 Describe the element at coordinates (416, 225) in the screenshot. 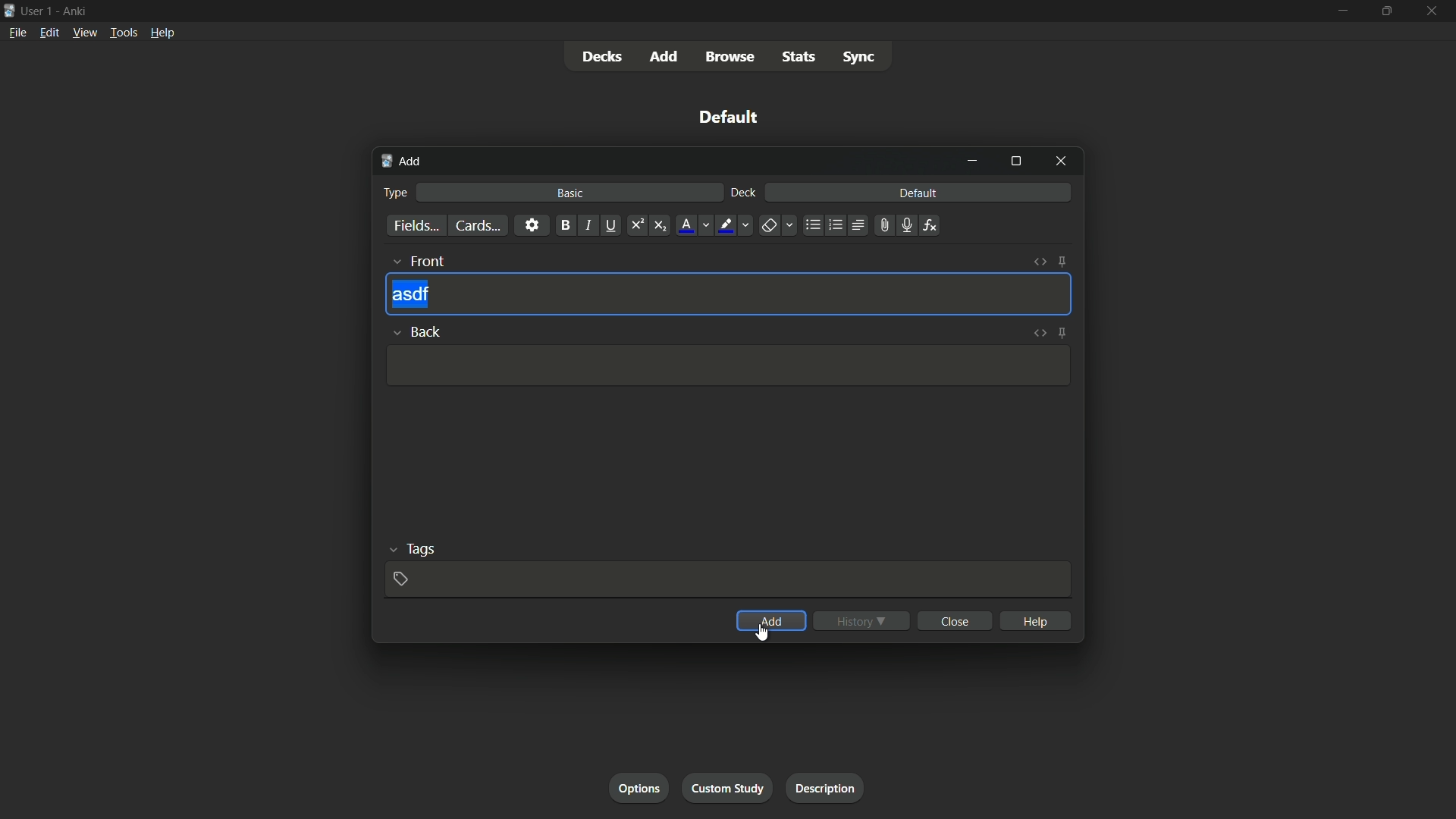

I see `fields` at that location.